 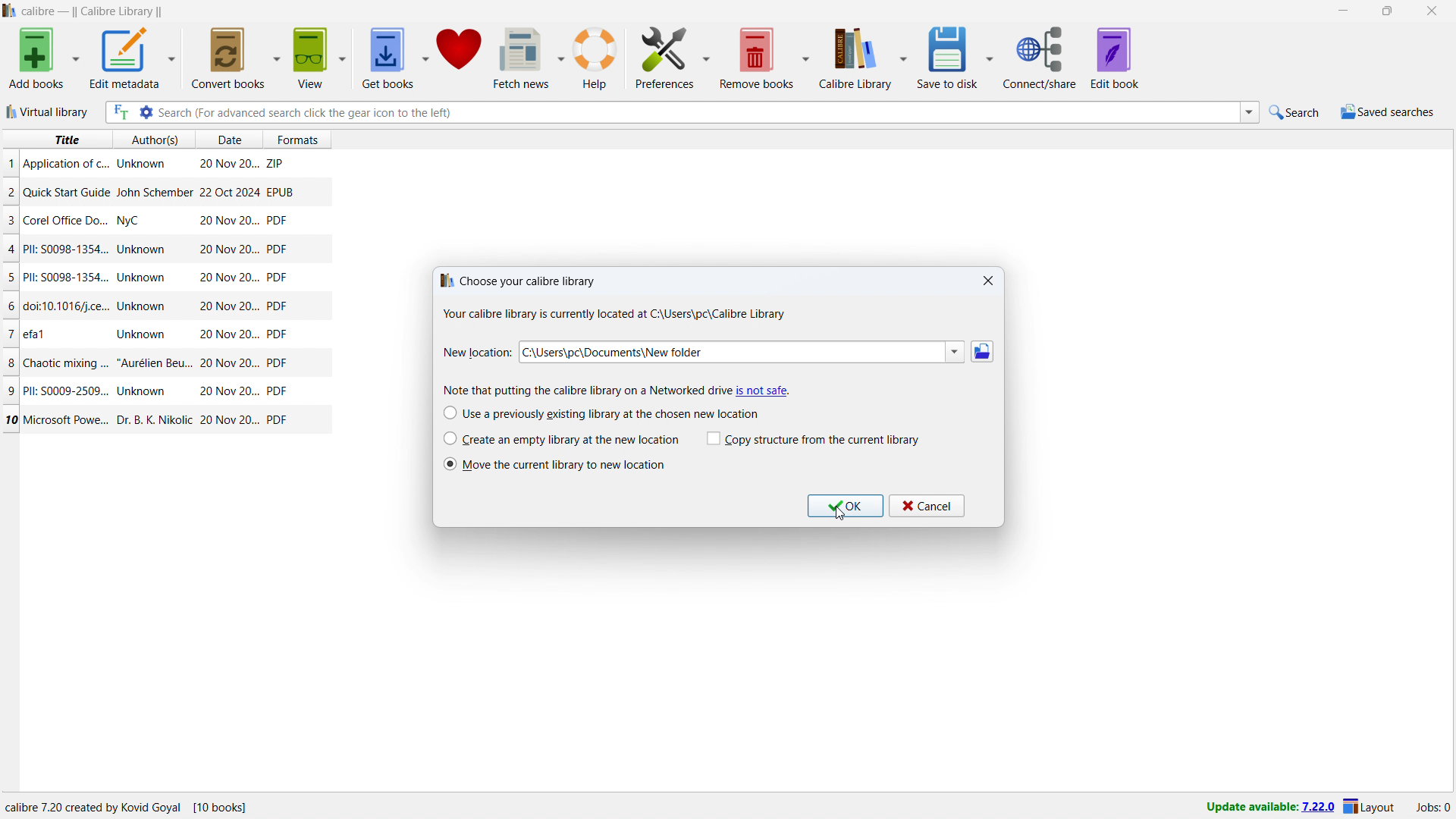 I want to click on title, so click(x=93, y=12).